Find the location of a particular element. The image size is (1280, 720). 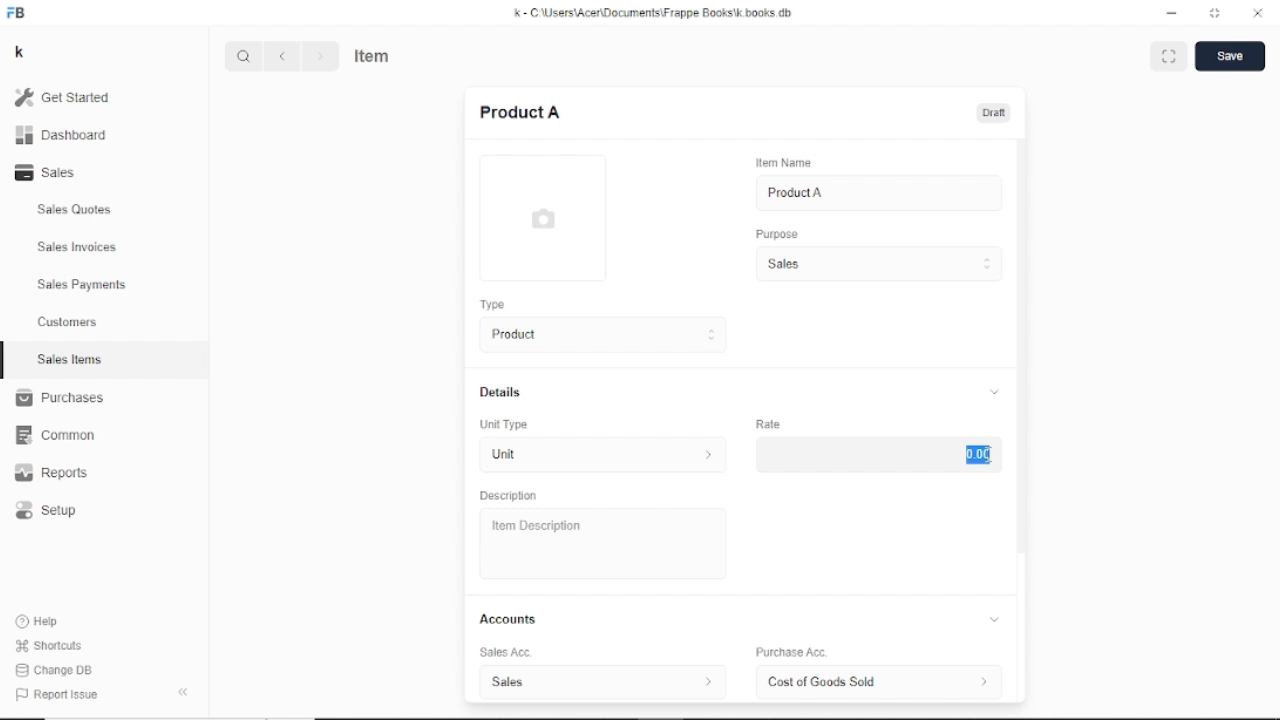

Dashboard is located at coordinates (62, 136).